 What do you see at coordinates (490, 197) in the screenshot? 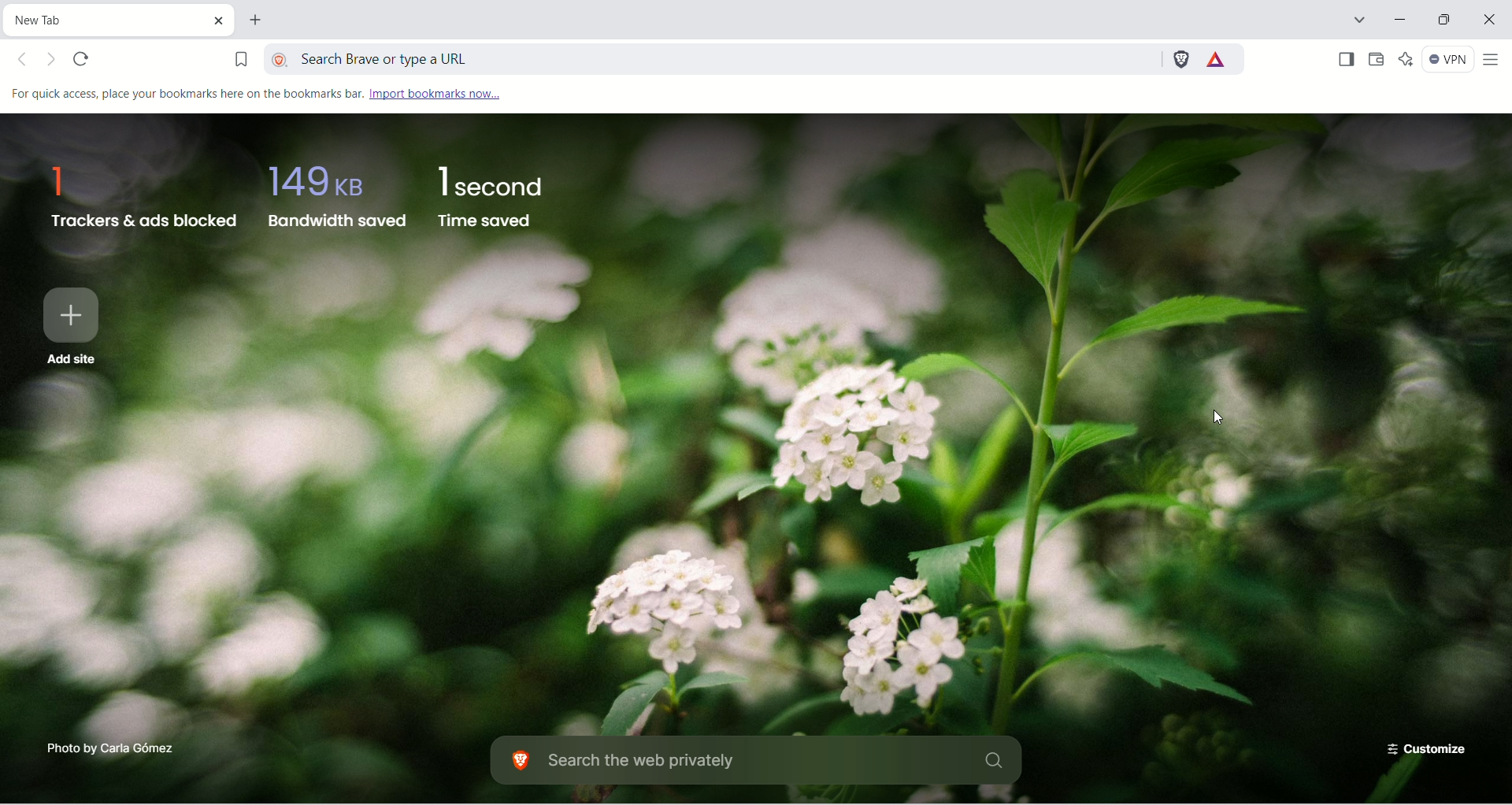
I see `1 second time saved` at bounding box center [490, 197].